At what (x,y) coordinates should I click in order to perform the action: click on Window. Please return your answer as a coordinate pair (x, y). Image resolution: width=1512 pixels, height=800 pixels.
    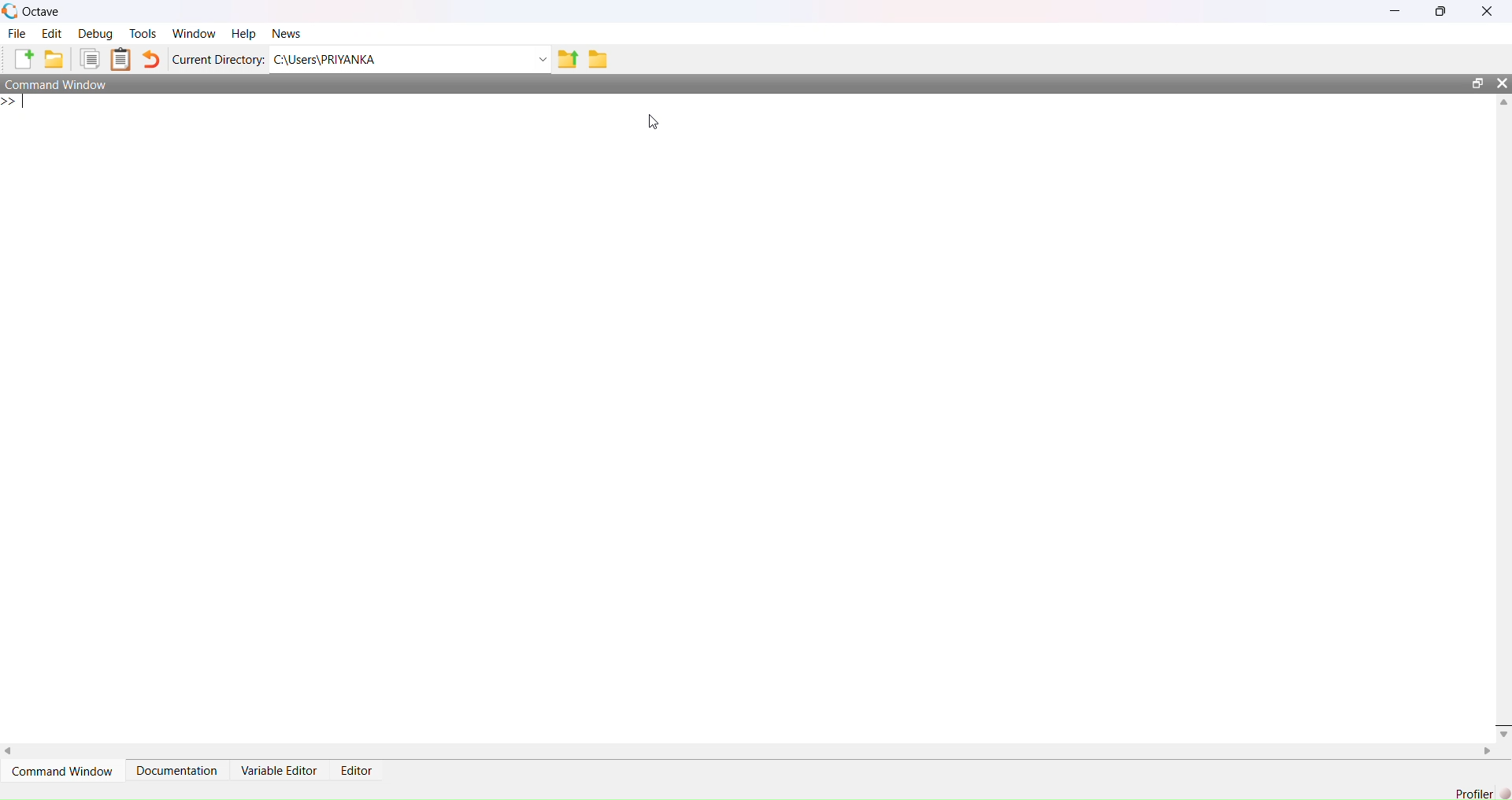
    Looking at the image, I should click on (195, 34).